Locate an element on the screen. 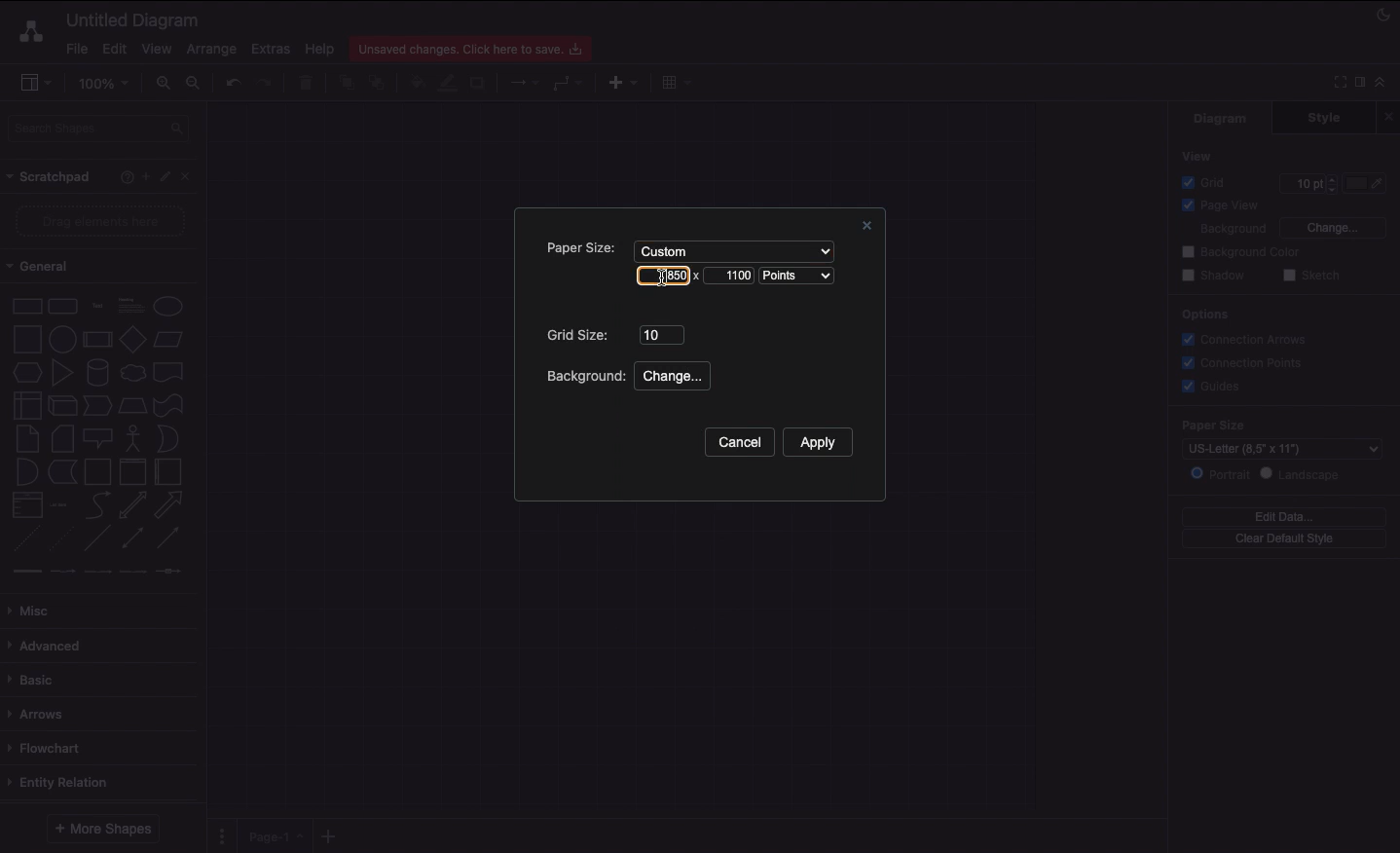 This screenshot has height=853, width=1400. 10 is located at coordinates (664, 336).